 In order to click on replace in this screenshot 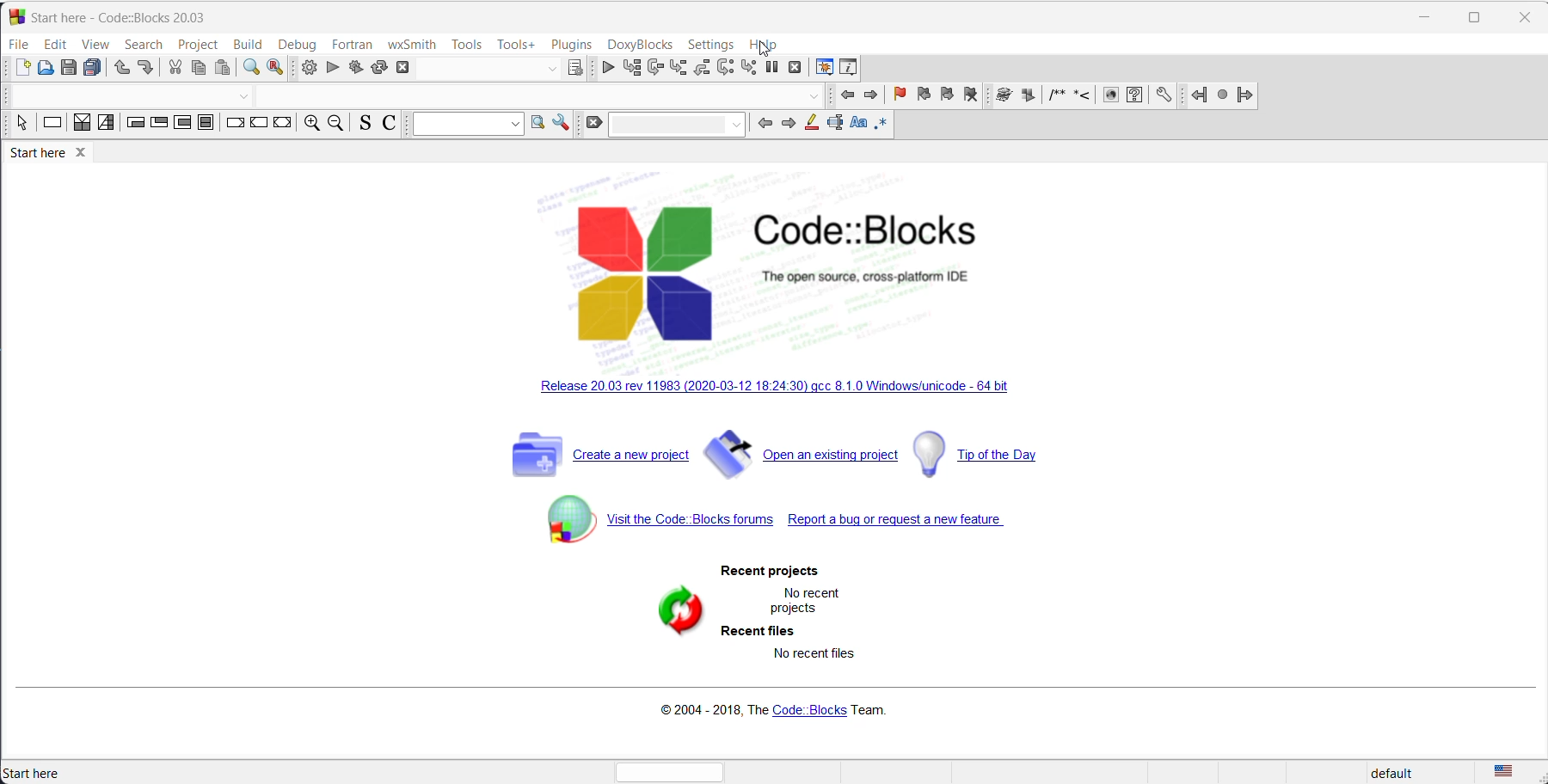, I will do `click(278, 70)`.